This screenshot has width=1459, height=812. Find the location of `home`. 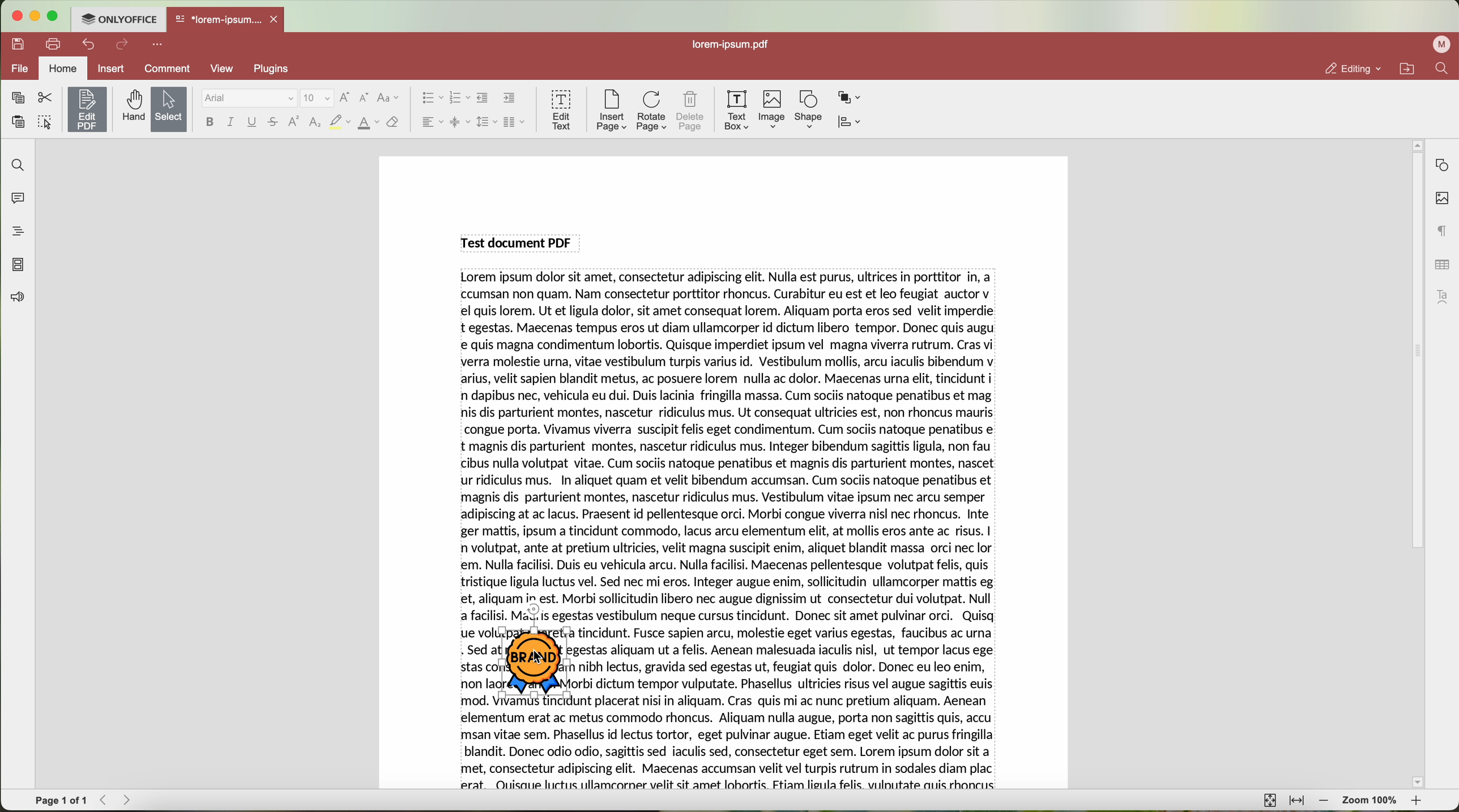

home is located at coordinates (63, 70).